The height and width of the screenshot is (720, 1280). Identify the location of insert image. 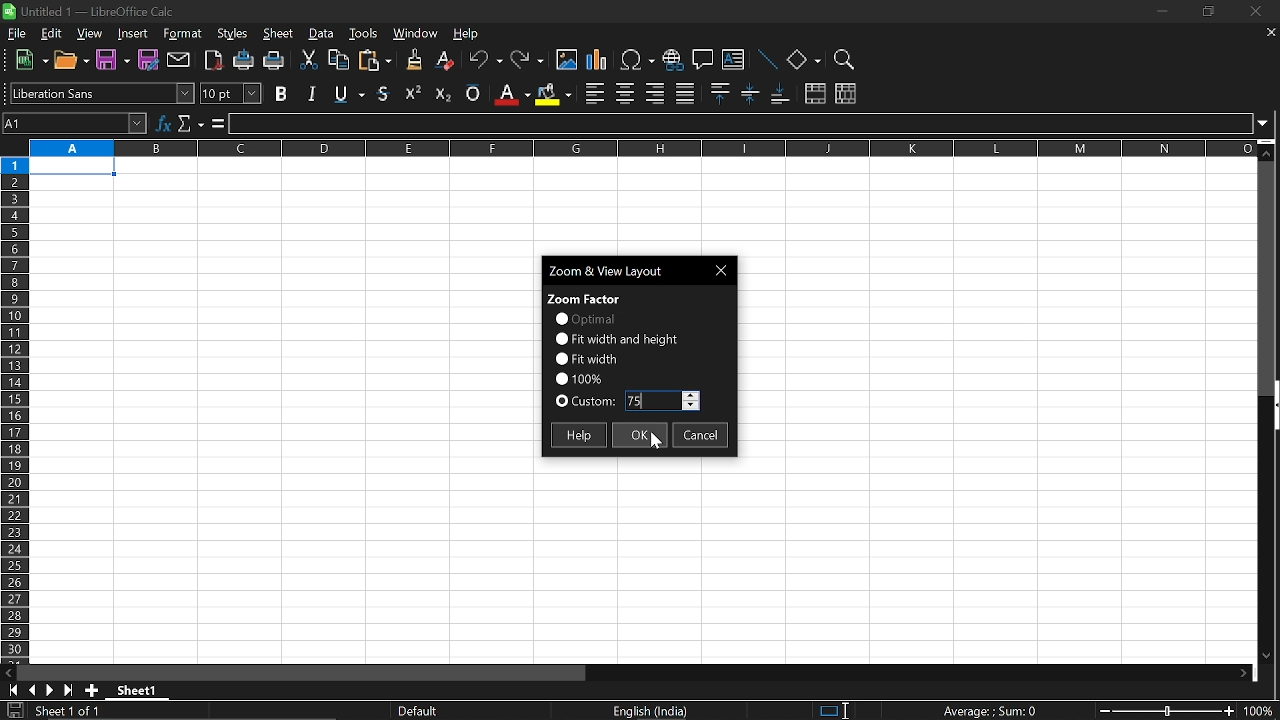
(567, 60).